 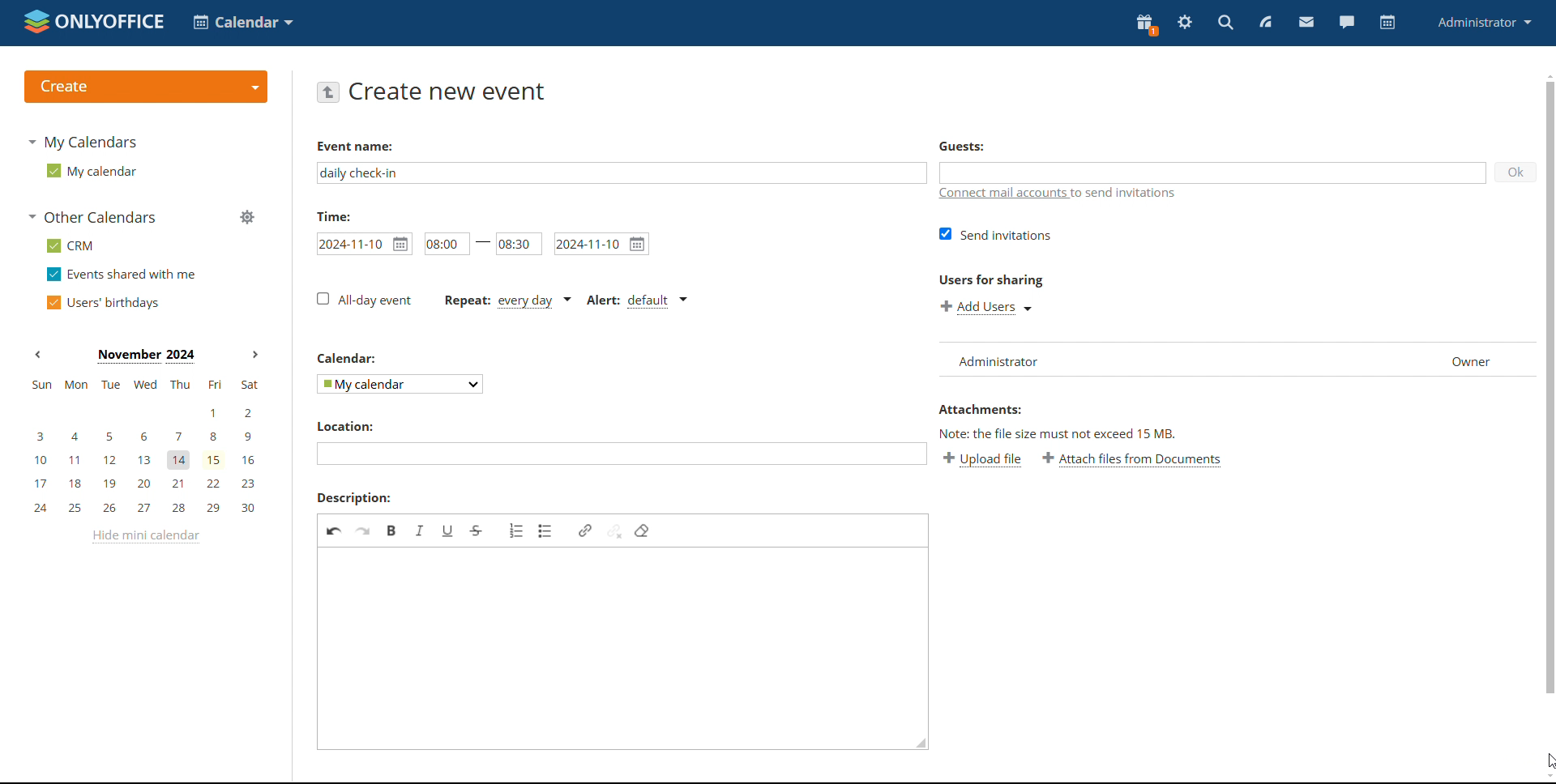 What do you see at coordinates (506, 300) in the screenshot?
I see `daily meeting set` at bounding box center [506, 300].